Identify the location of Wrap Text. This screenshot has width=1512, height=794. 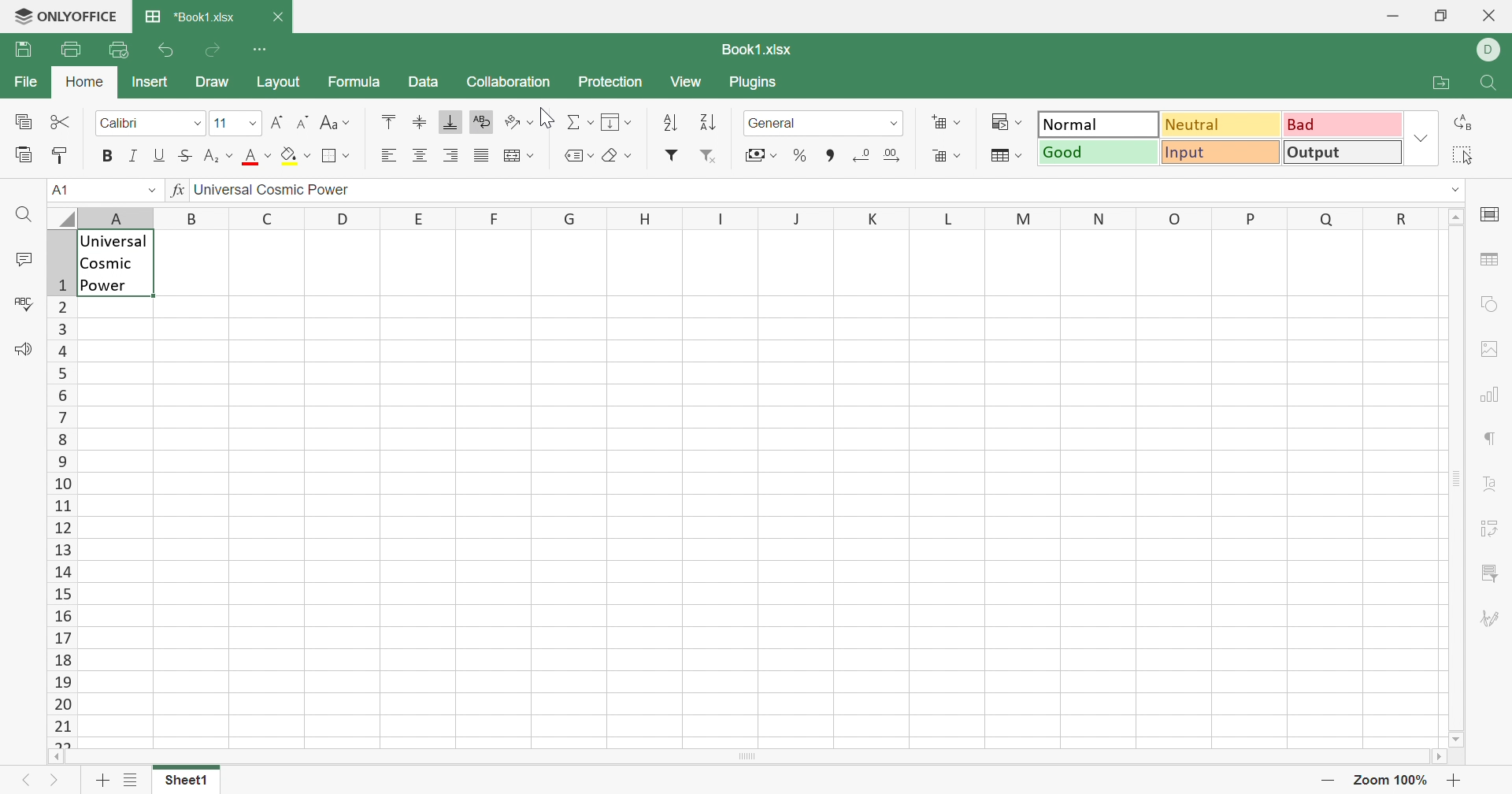
(484, 121).